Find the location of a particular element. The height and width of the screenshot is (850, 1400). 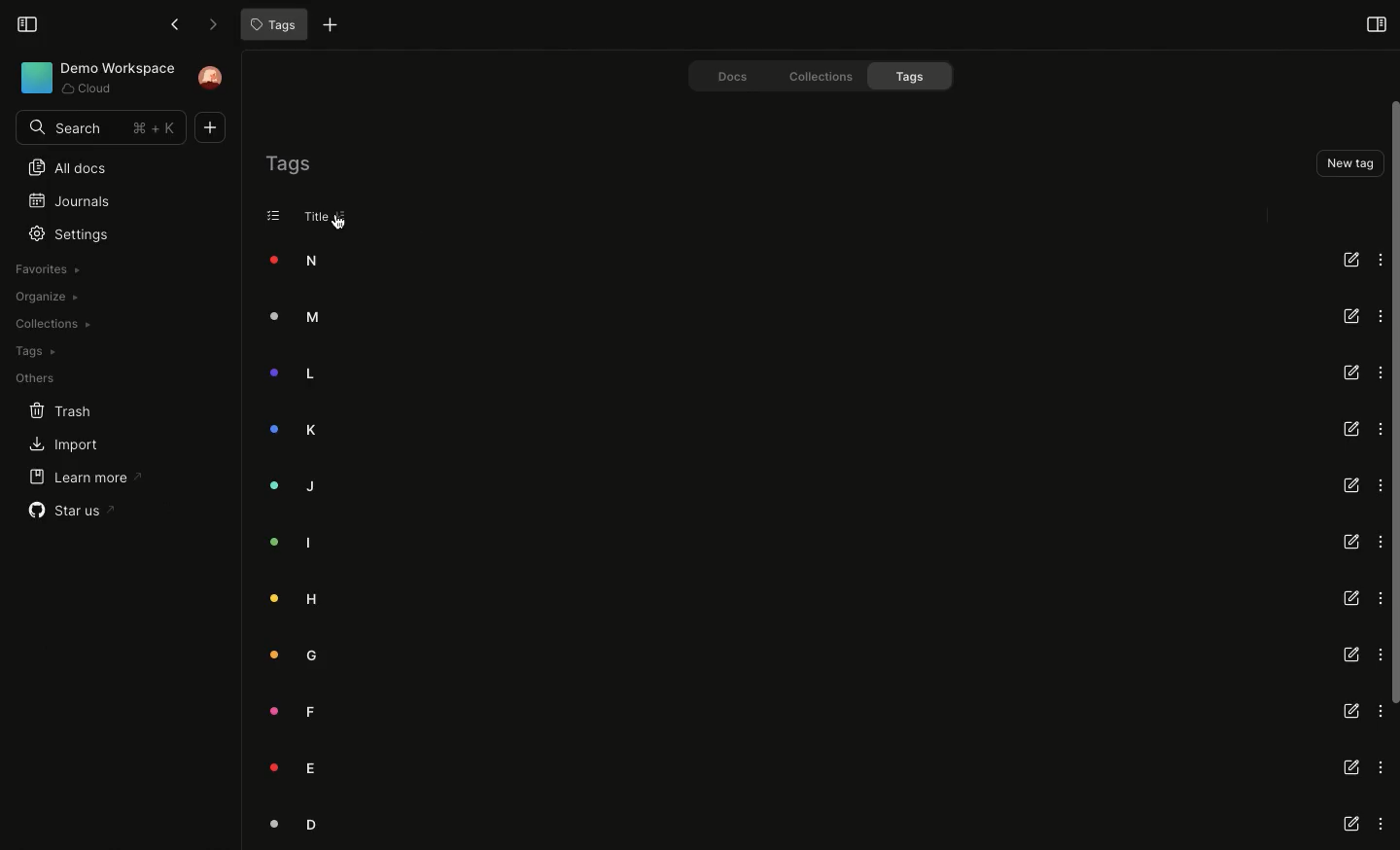

Scroll is located at coordinates (1391, 404).